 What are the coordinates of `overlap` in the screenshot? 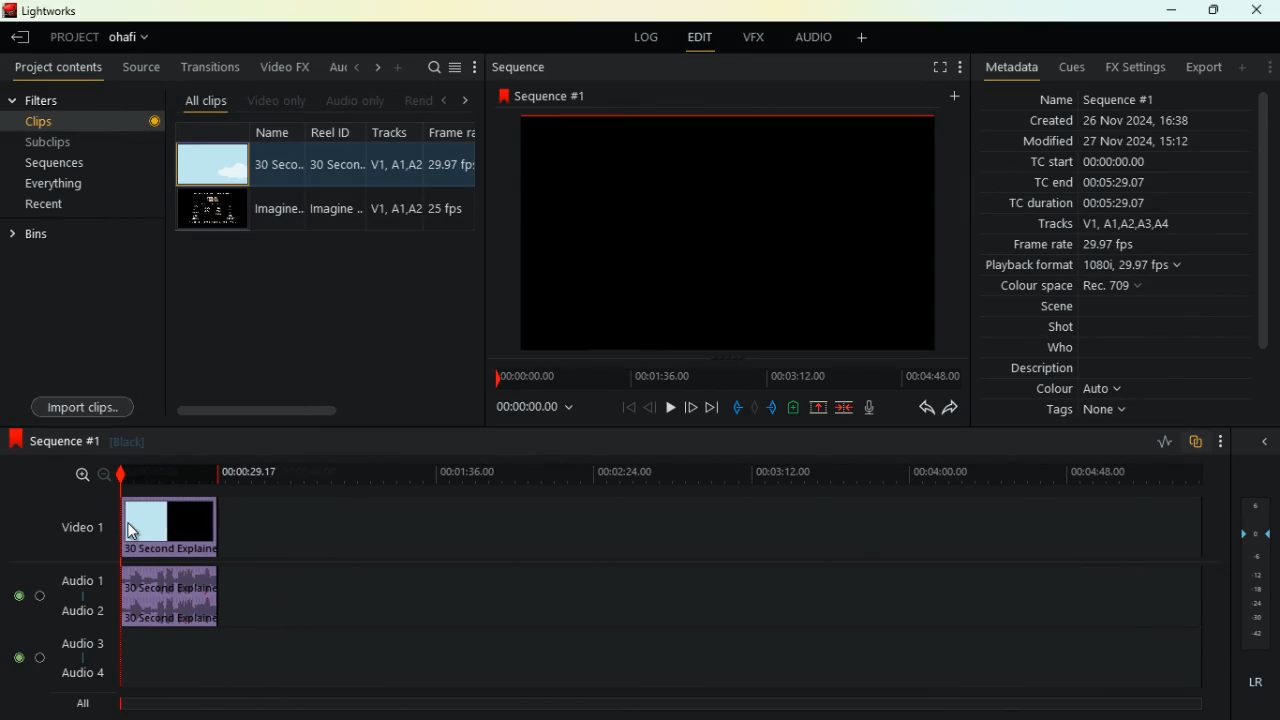 It's located at (1194, 438).